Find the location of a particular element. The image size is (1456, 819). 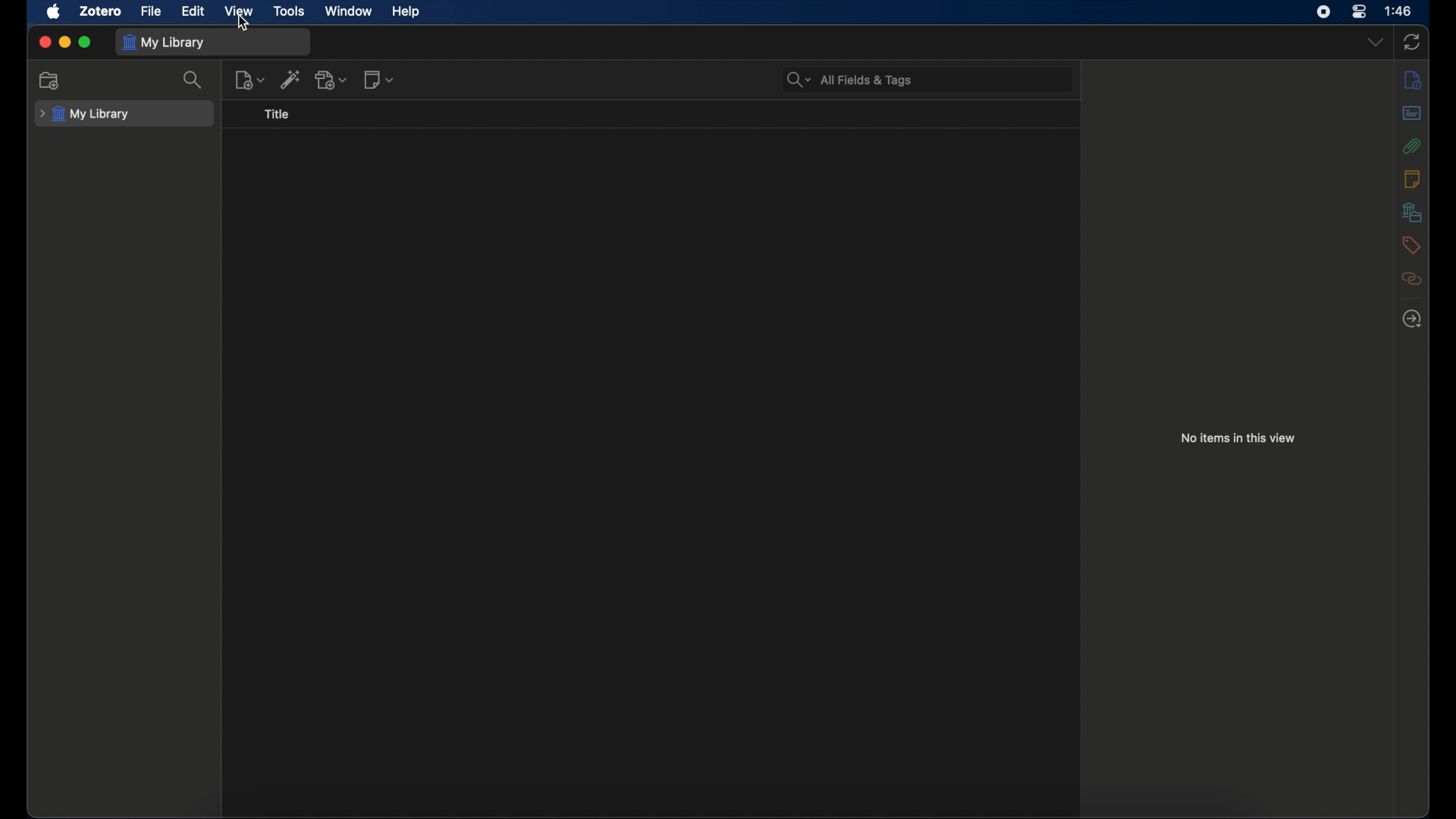

libraries is located at coordinates (1412, 212).